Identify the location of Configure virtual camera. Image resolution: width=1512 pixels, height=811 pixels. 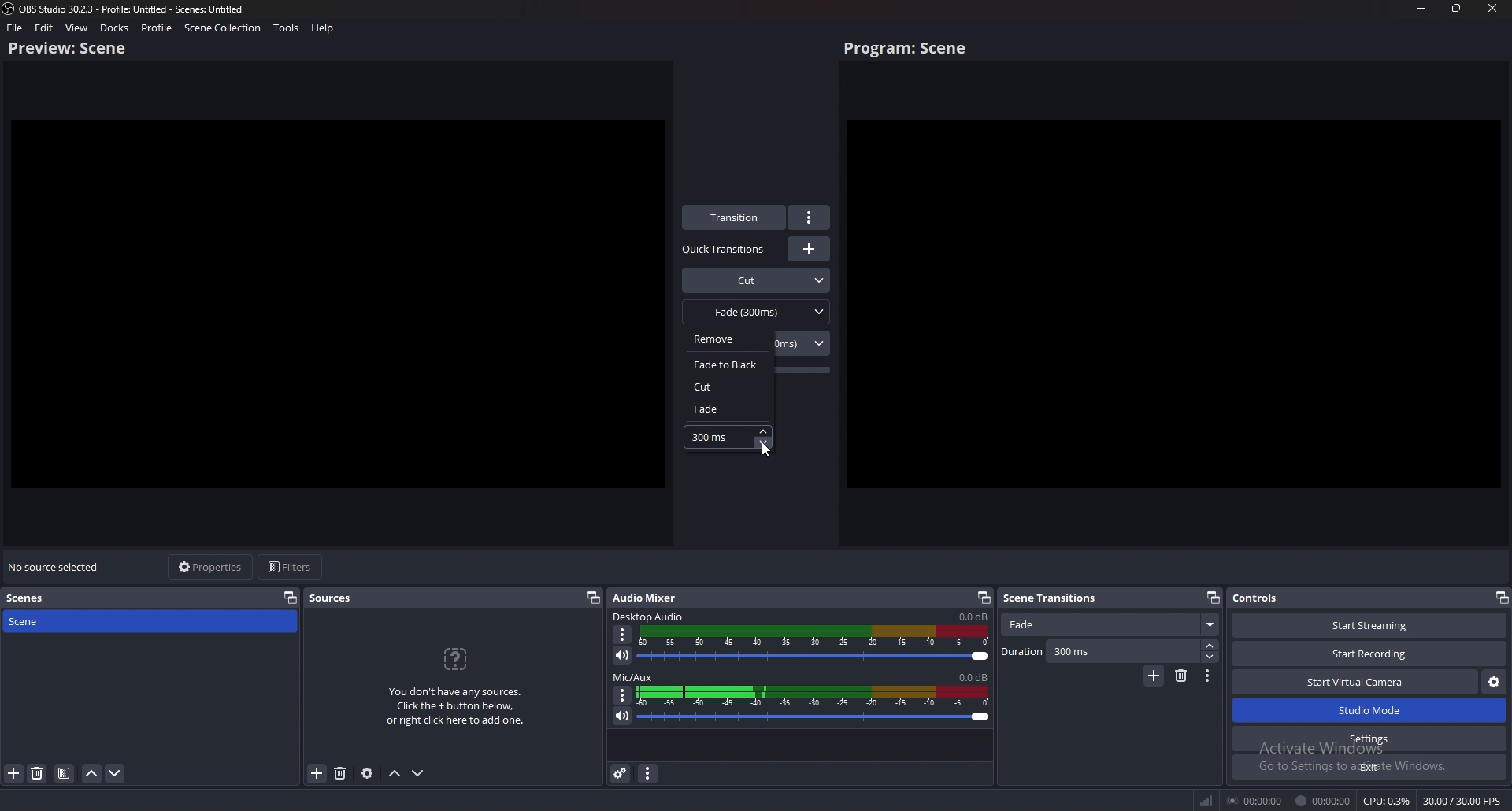
(1493, 683).